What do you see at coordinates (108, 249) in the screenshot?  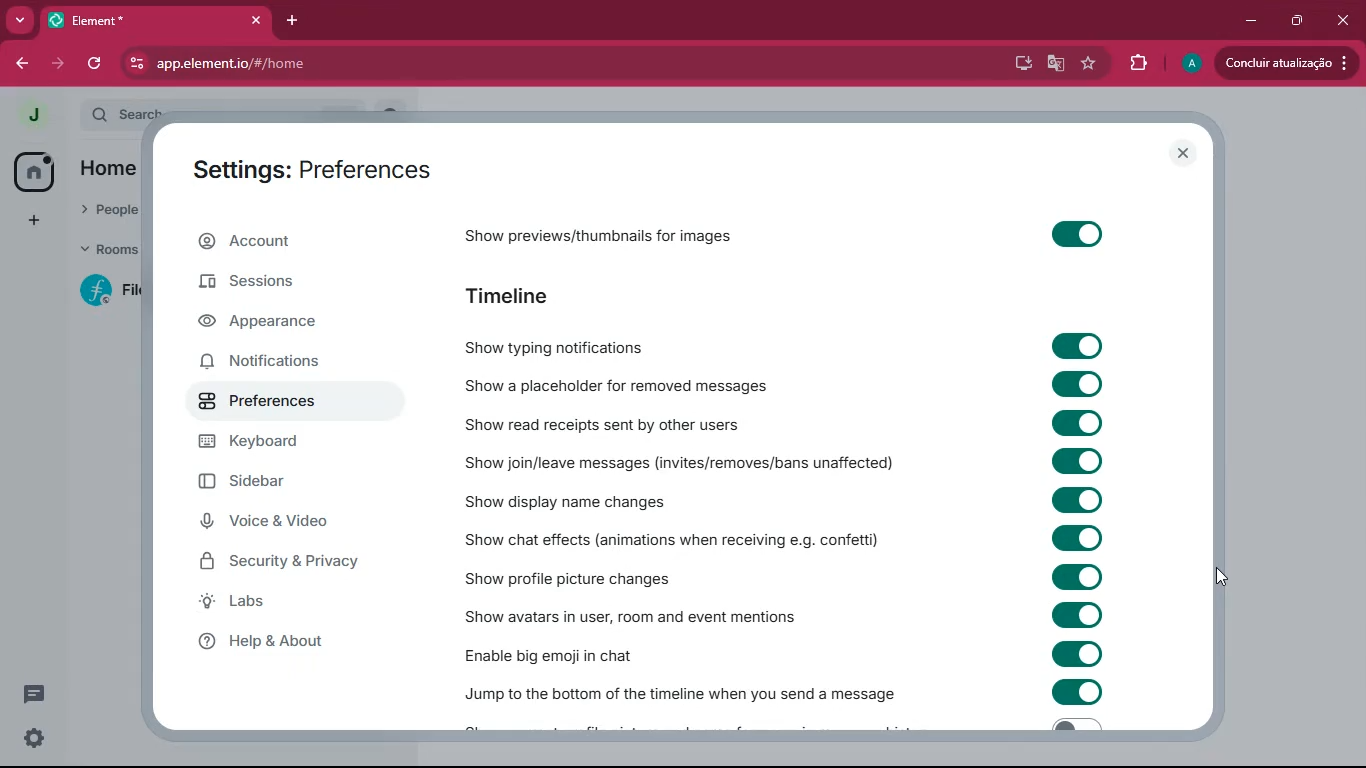 I see `rooms` at bounding box center [108, 249].